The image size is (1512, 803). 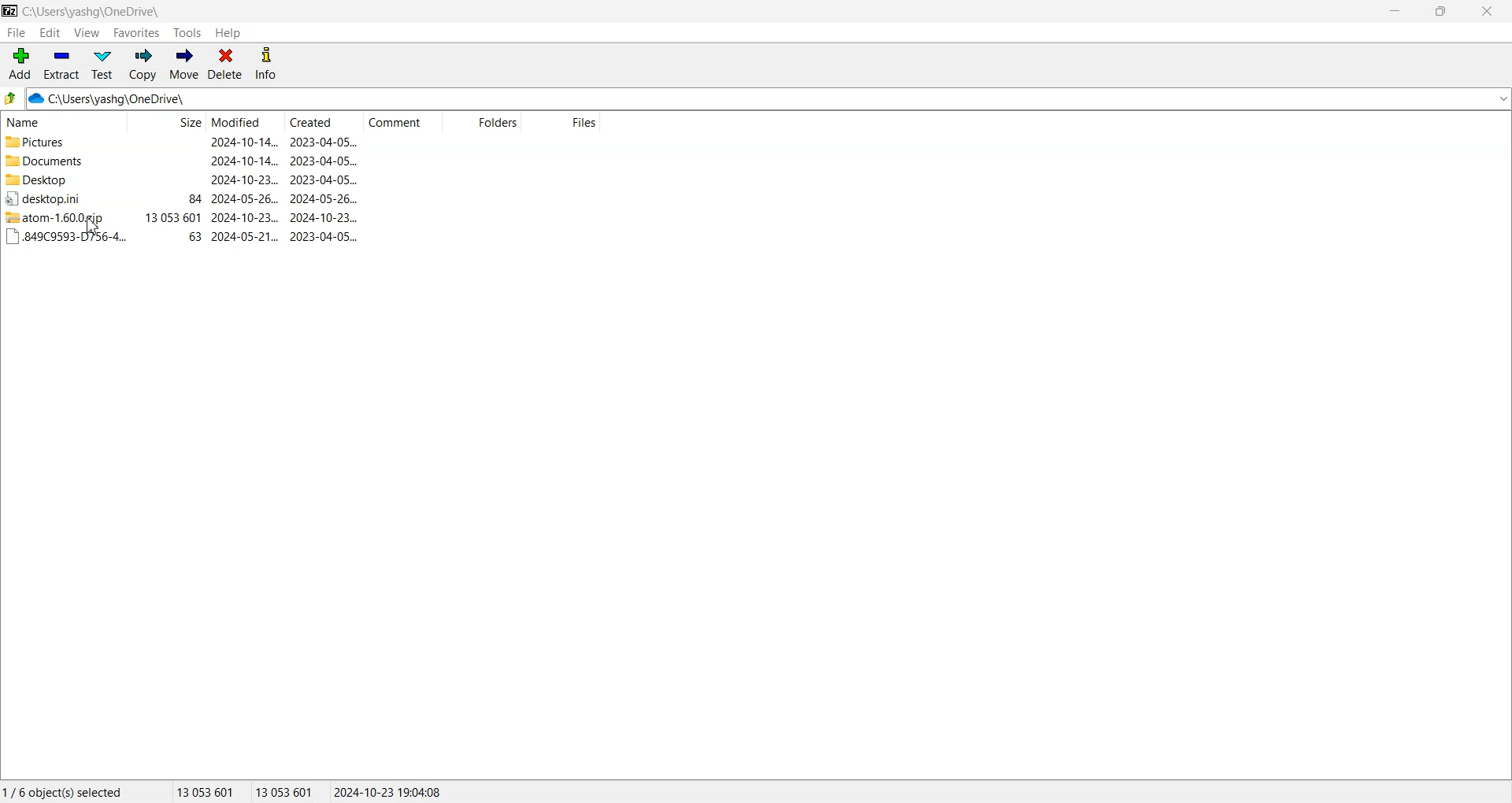 I want to click on Desktop File, so click(x=58, y=198).